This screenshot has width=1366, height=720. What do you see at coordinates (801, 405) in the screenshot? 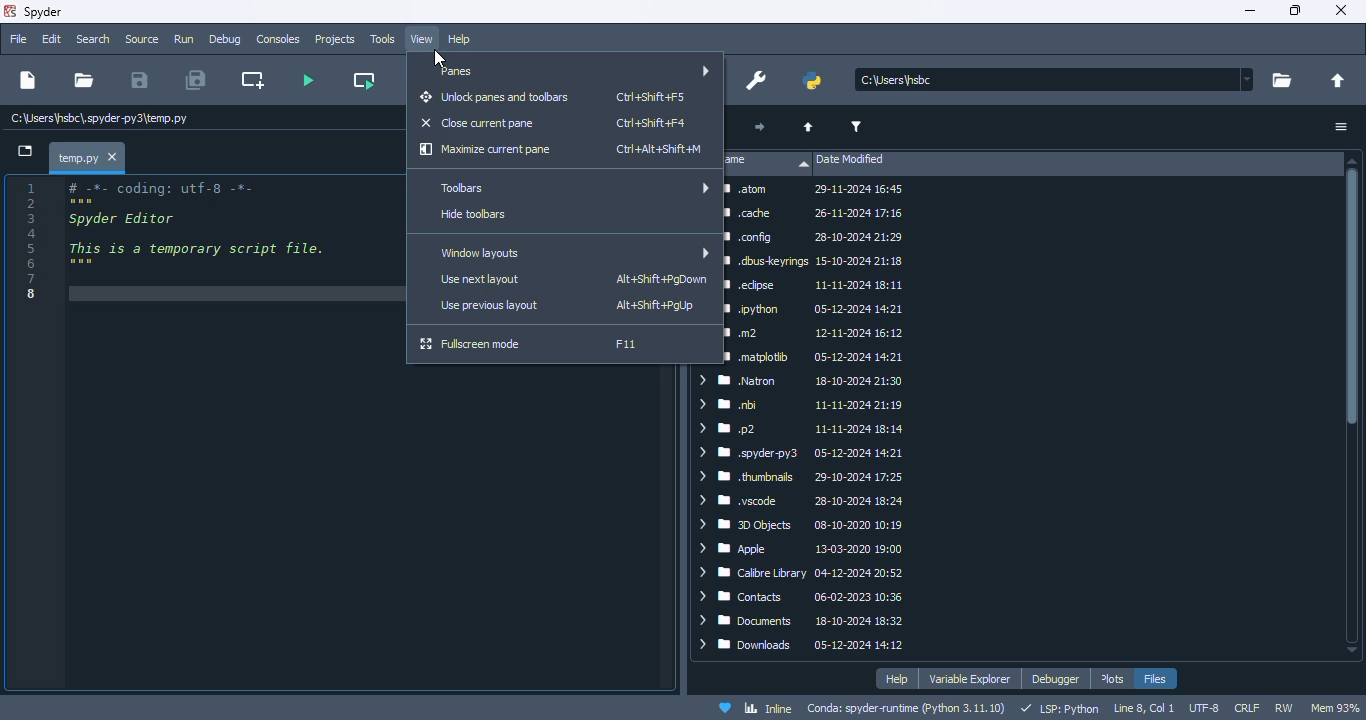
I see `.nbi` at bounding box center [801, 405].